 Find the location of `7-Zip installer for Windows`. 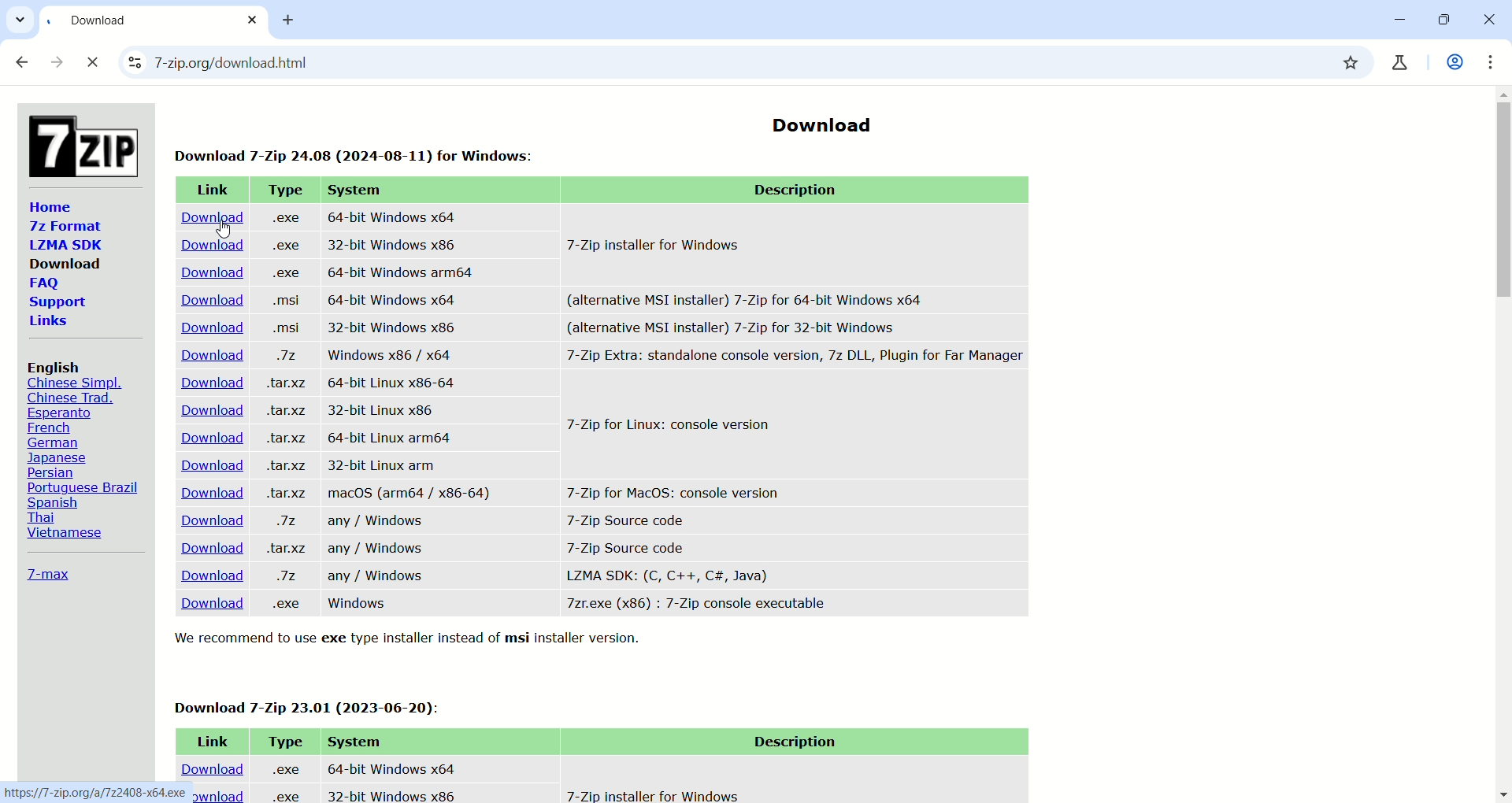

7-Zip installer for Windows is located at coordinates (663, 244).